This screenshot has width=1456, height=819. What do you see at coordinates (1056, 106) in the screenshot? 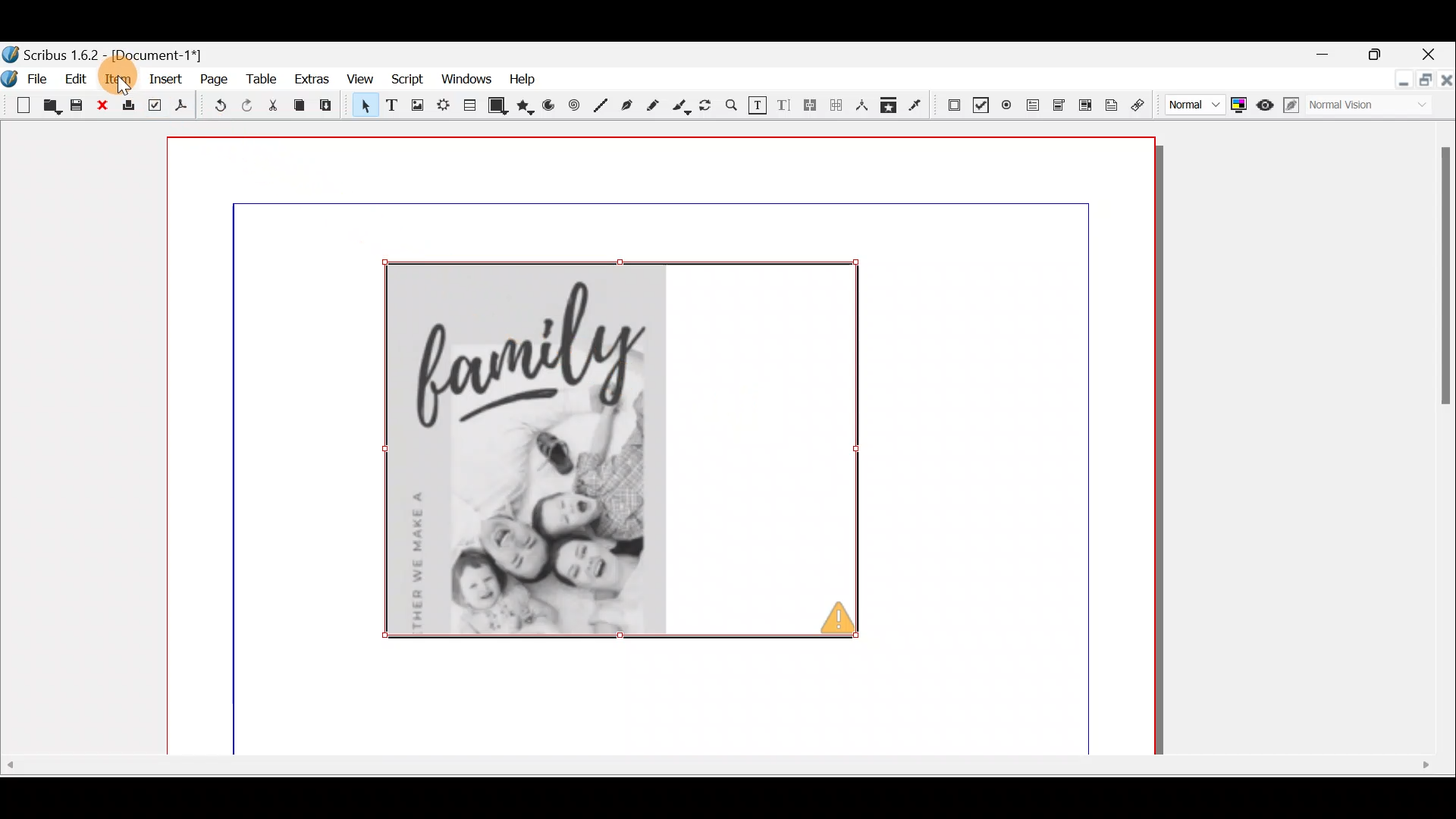
I see `PDF combo box` at bounding box center [1056, 106].